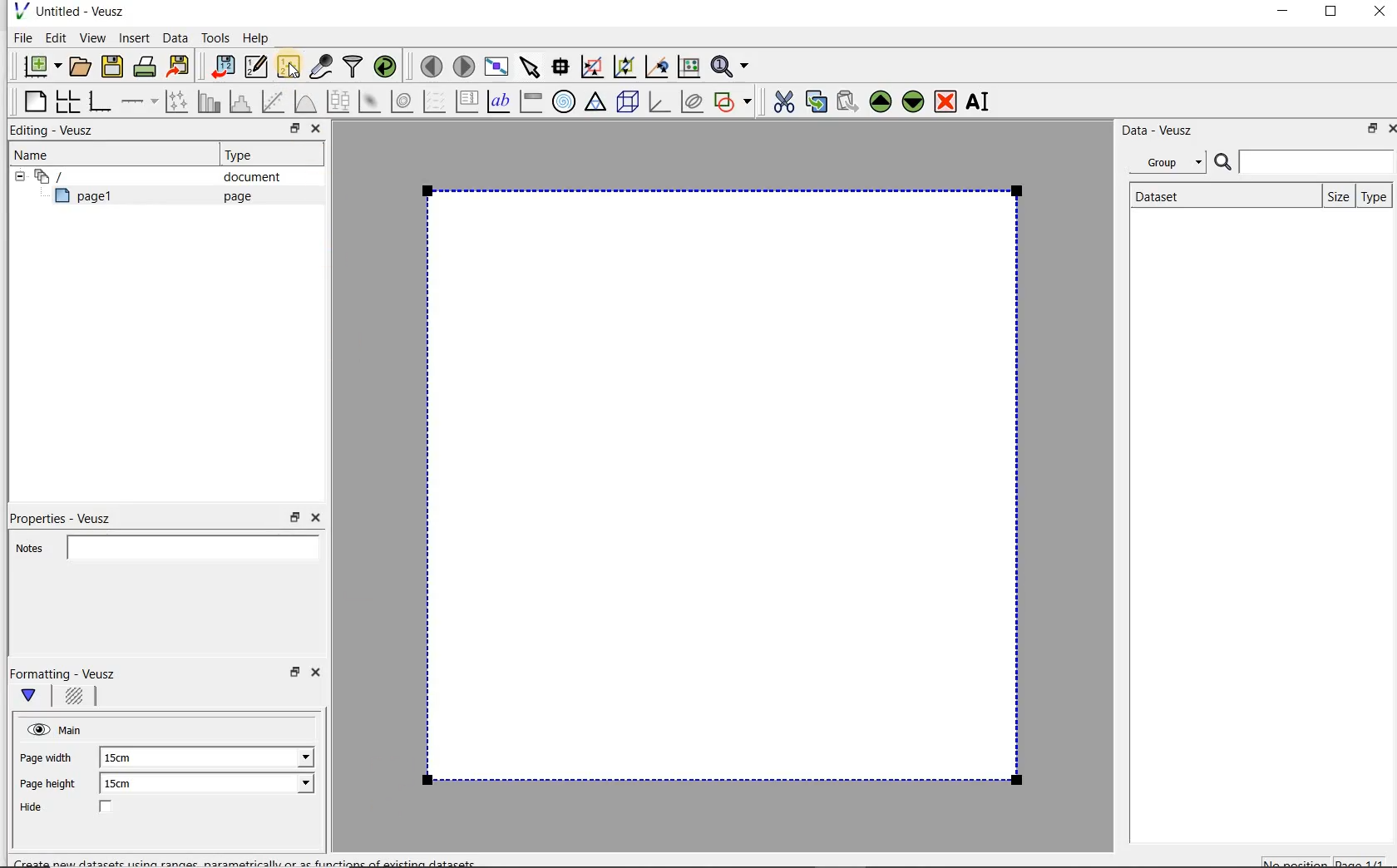 This screenshot has width=1397, height=868. Describe the element at coordinates (531, 101) in the screenshot. I see `image color bar` at that location.